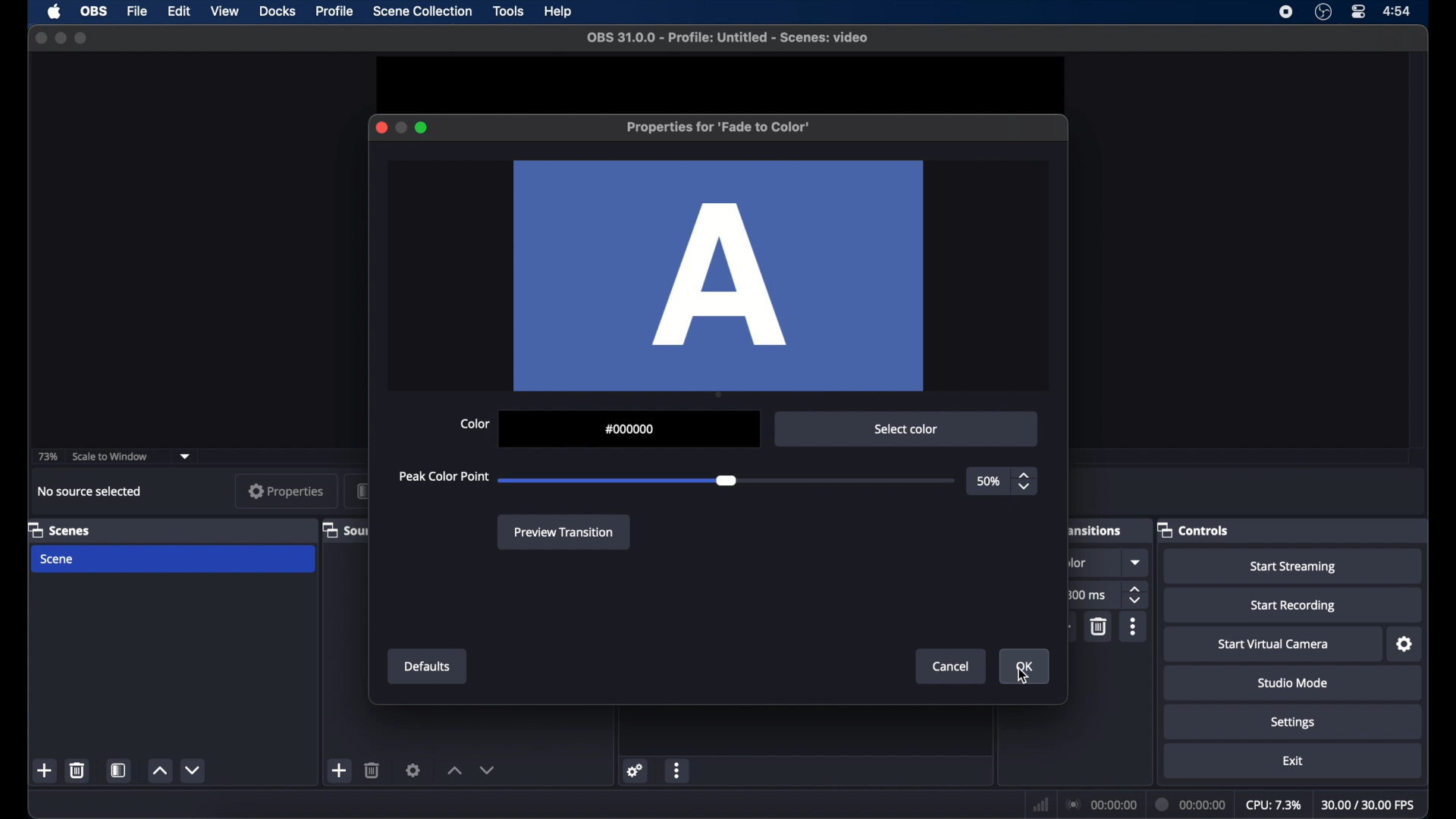 The image size is (1456, 819). Describe the element at coordinates (1286, 12) in the screenshot. I see `screen recorder icon` at that location.